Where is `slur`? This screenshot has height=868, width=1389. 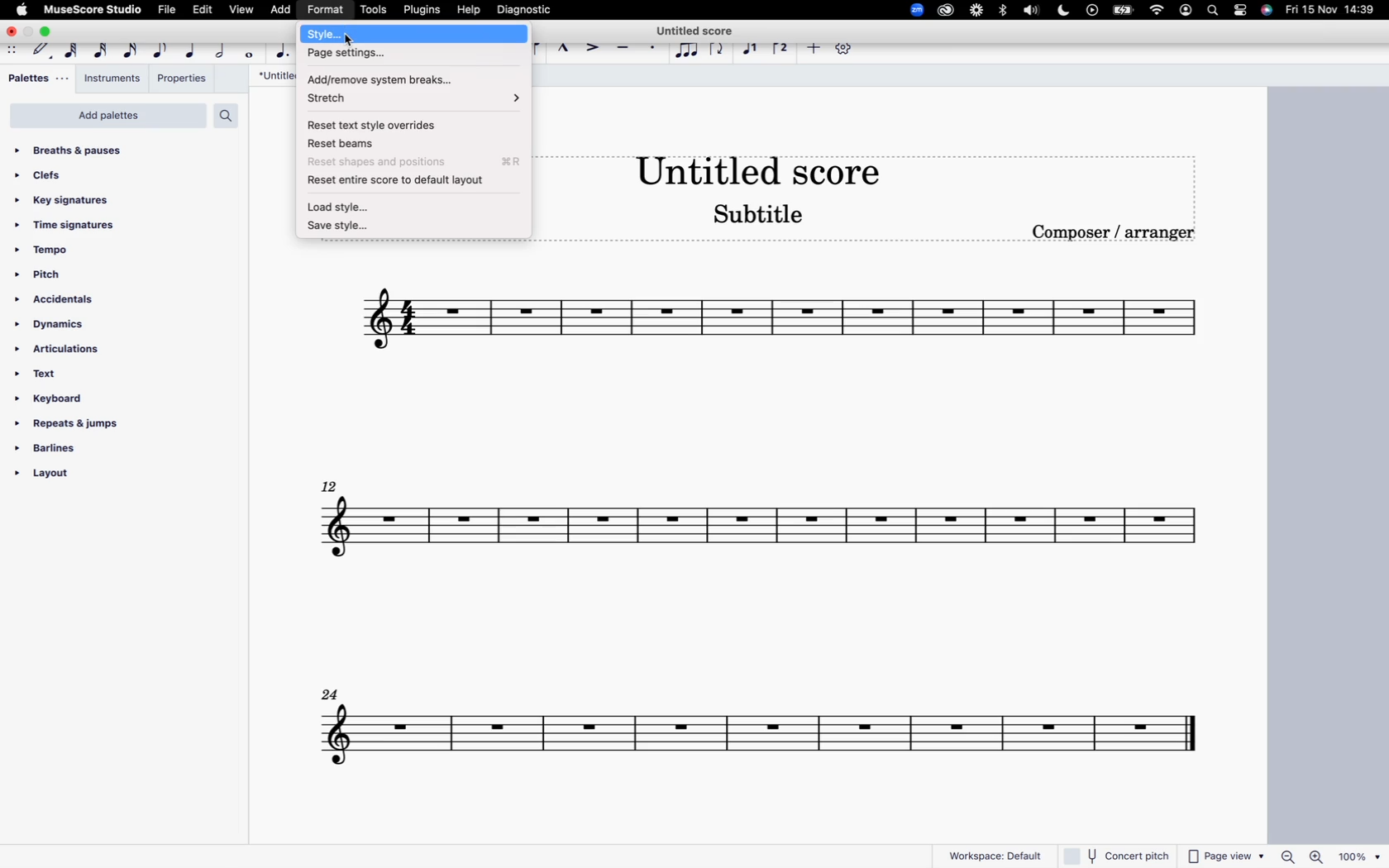
slur is located at coordinates (537, 50).